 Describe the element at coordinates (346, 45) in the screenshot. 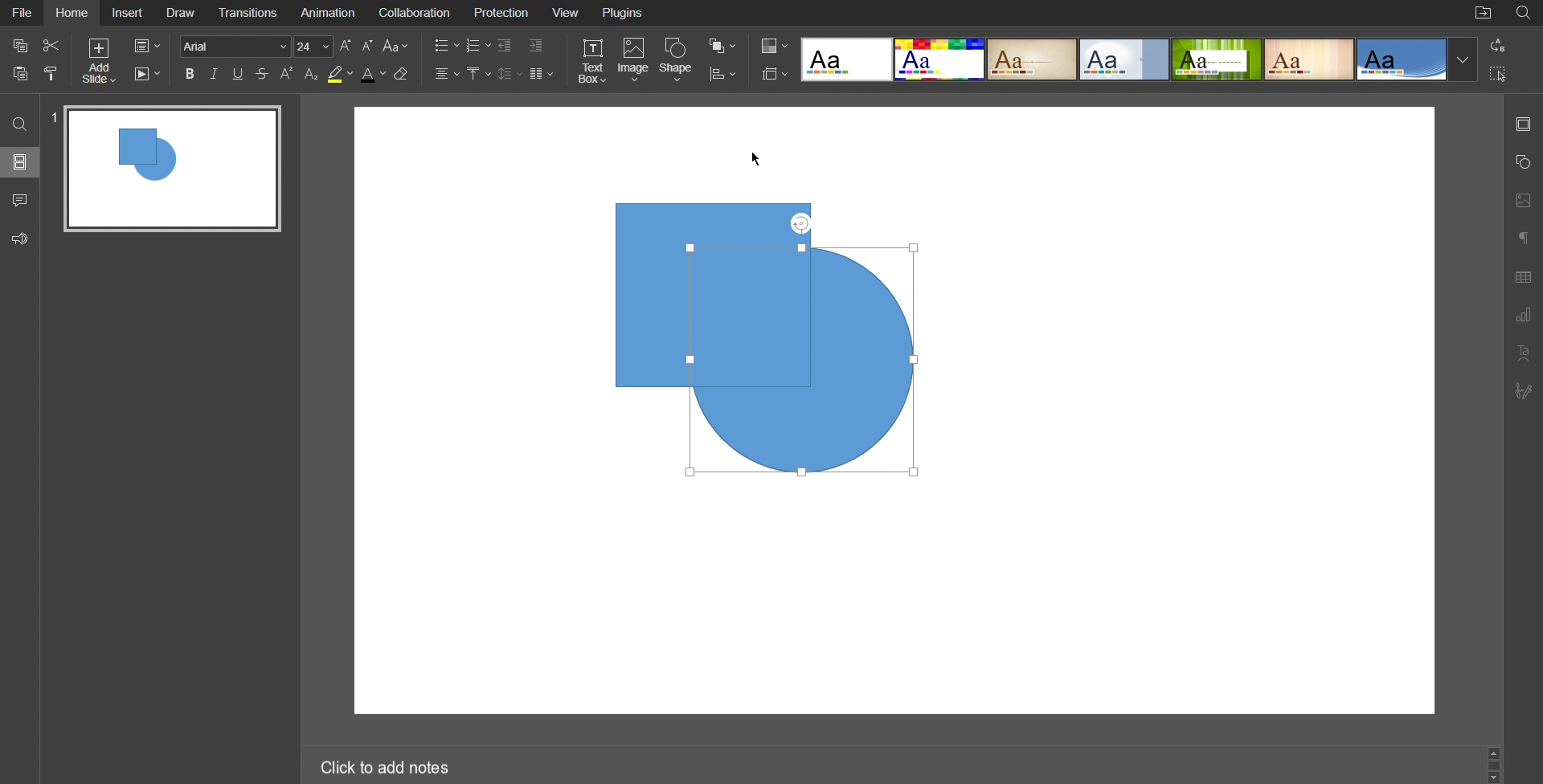

I see `Increase Font` at that location.